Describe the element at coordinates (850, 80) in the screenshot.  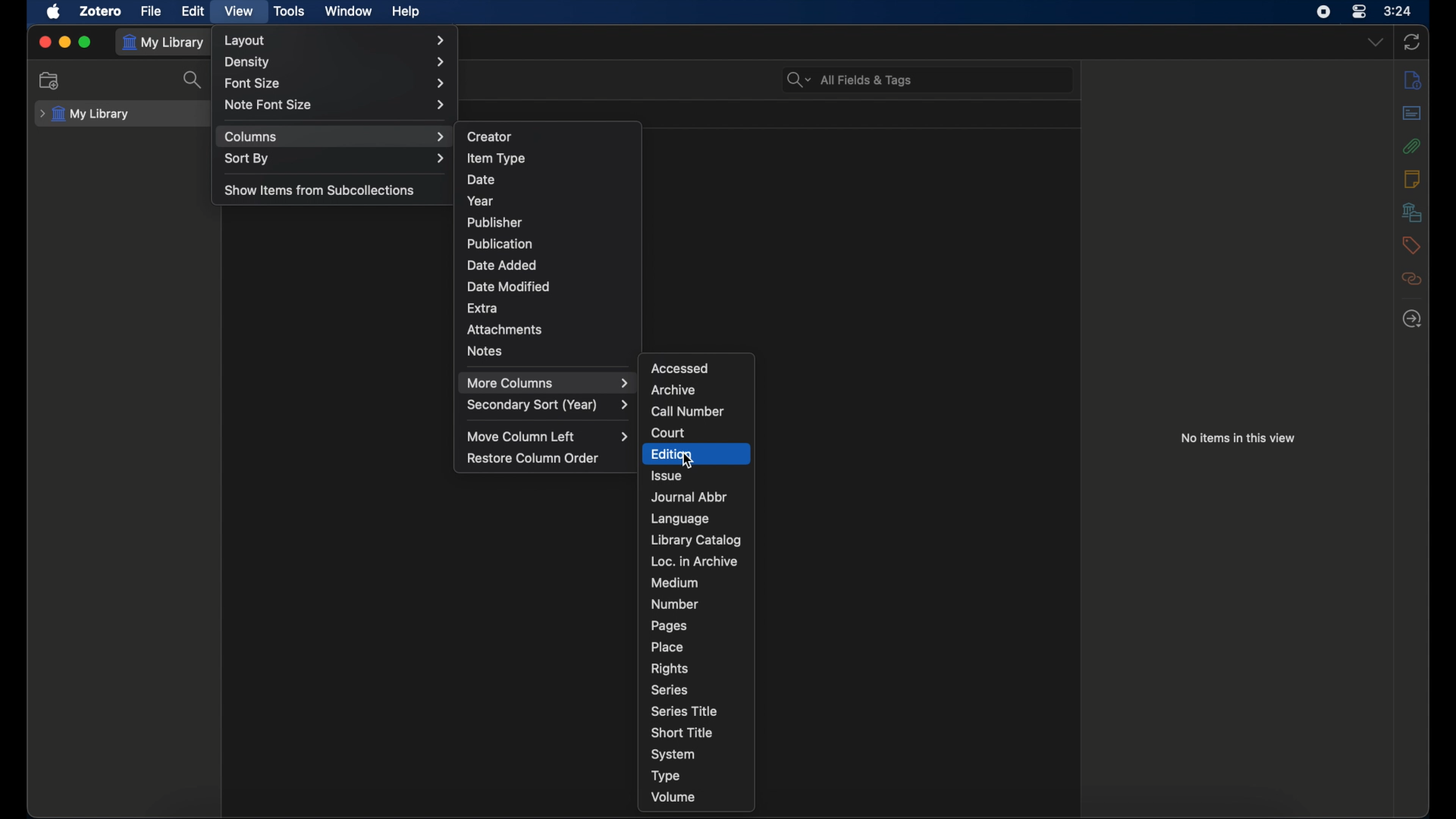
I see `all fields & tags` at that location.